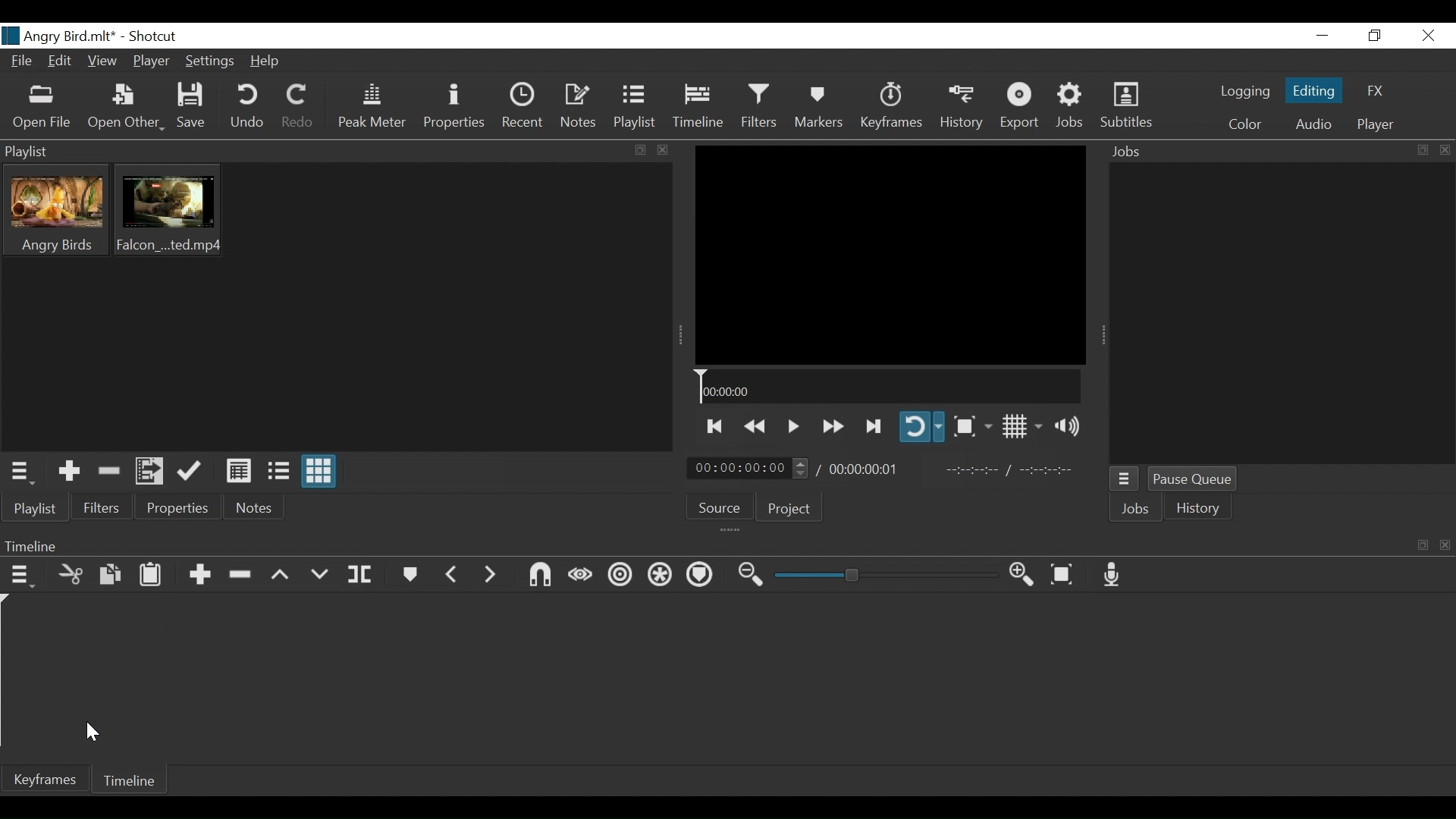 The height and width of the screenshot is (819, 1456). Describe the element at coordinates (1244, 124) in the screenshot. I see `` at that location.